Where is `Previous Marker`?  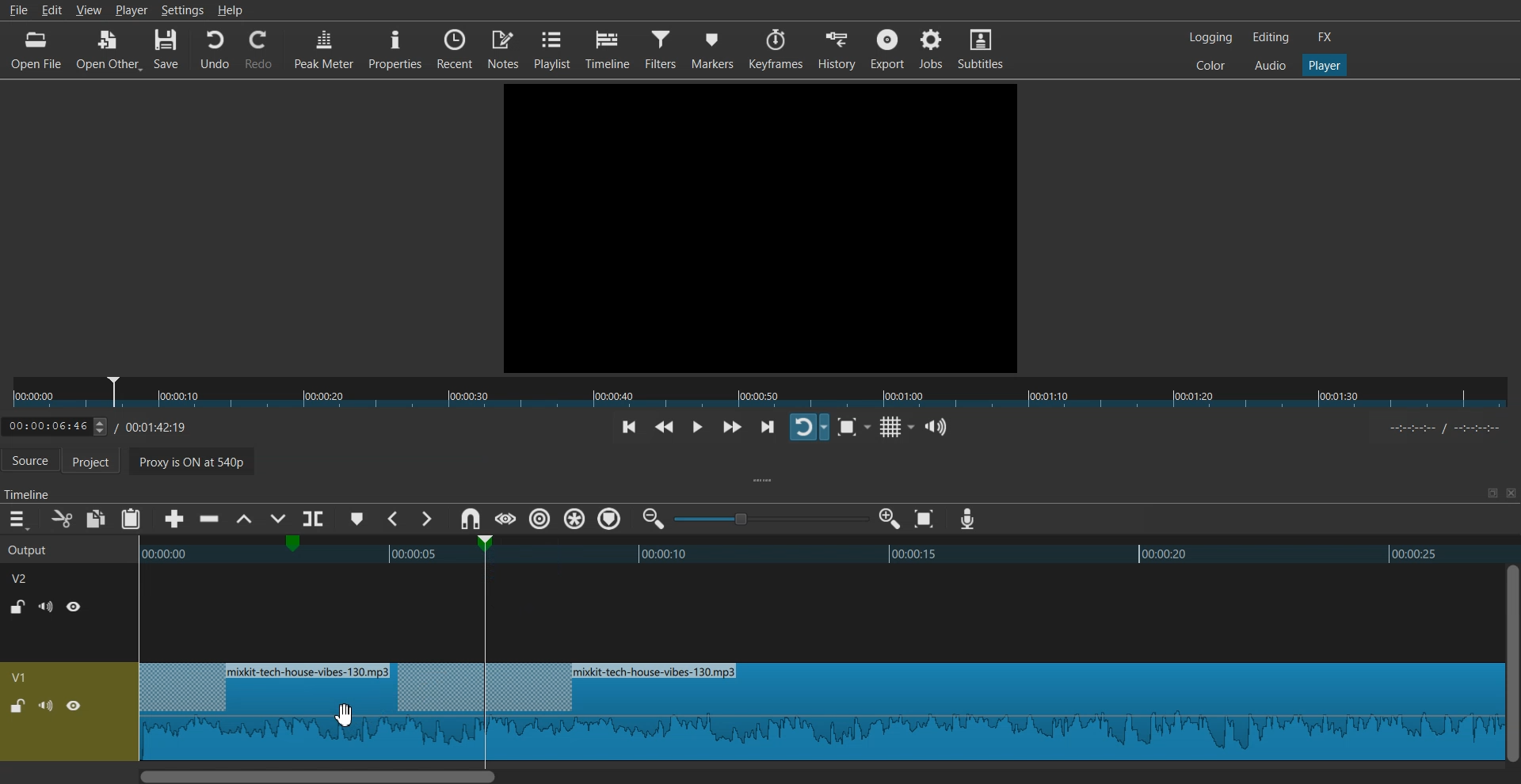 Previous Marker is located at coordinates (395, 519).